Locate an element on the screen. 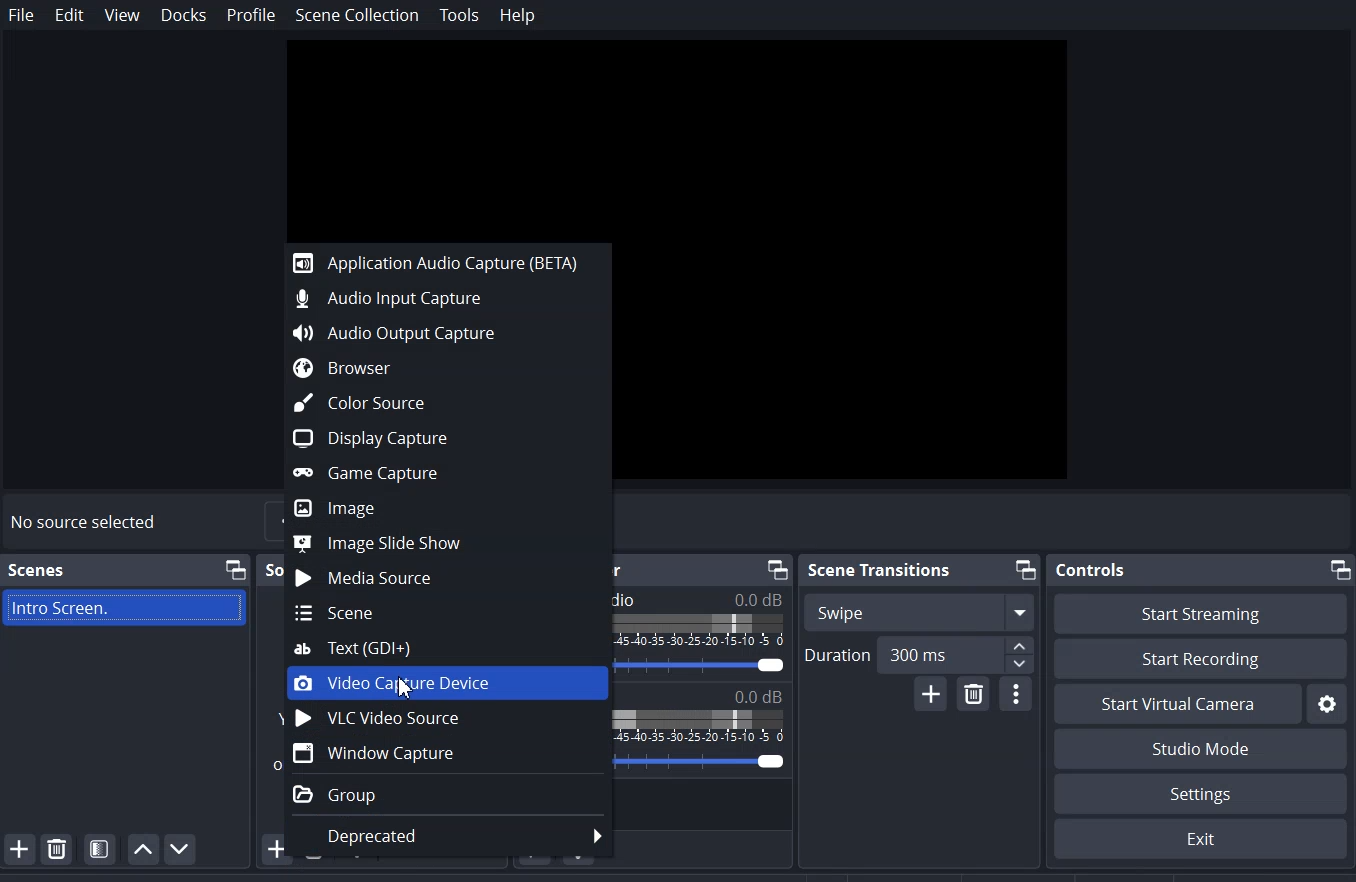 The width and height of the screenshot is (1356, 882). Maximize is located at coordinates (1339, 568).